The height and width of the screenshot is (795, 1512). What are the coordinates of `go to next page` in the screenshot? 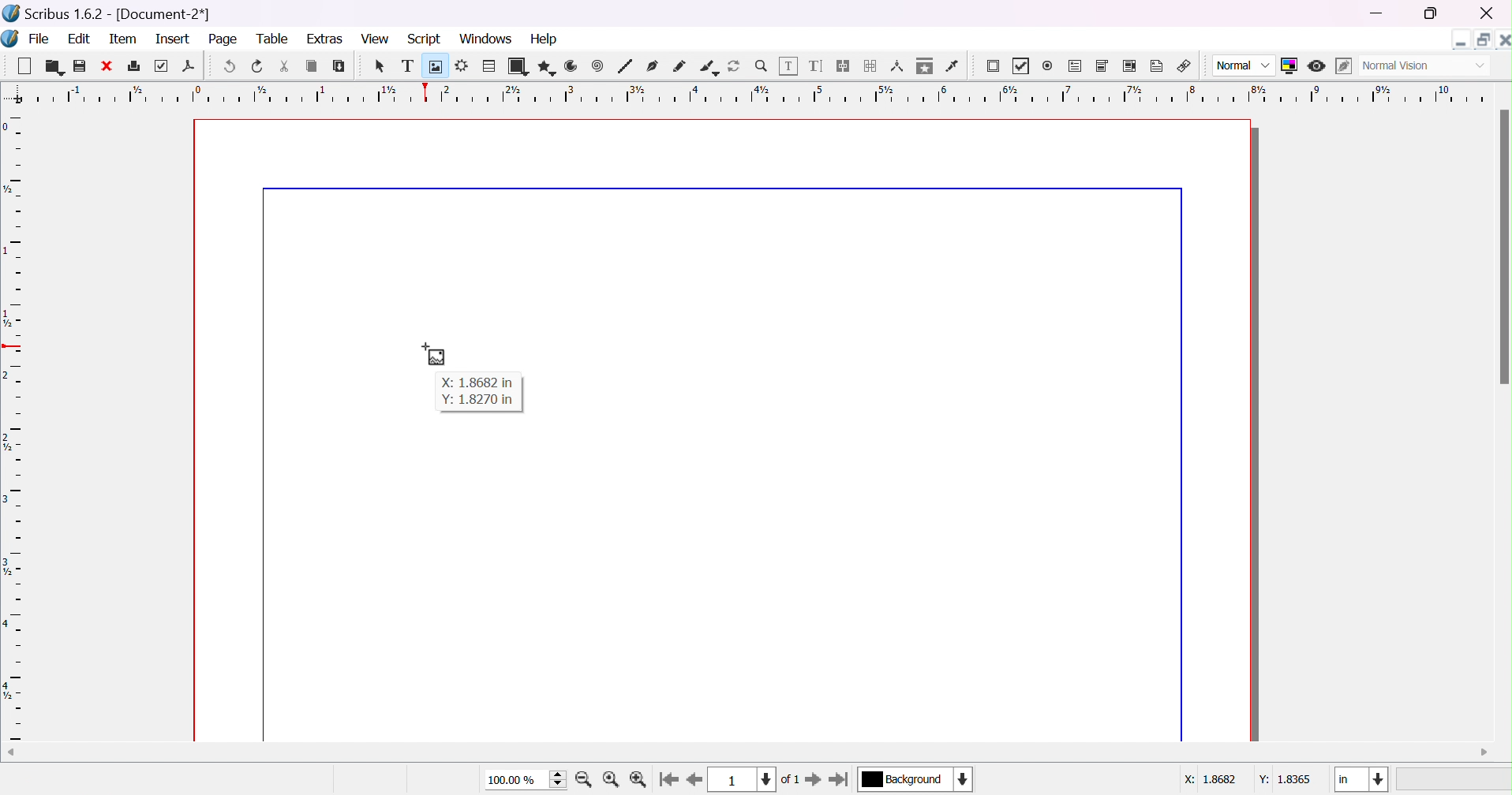 It's located at (812, 779).